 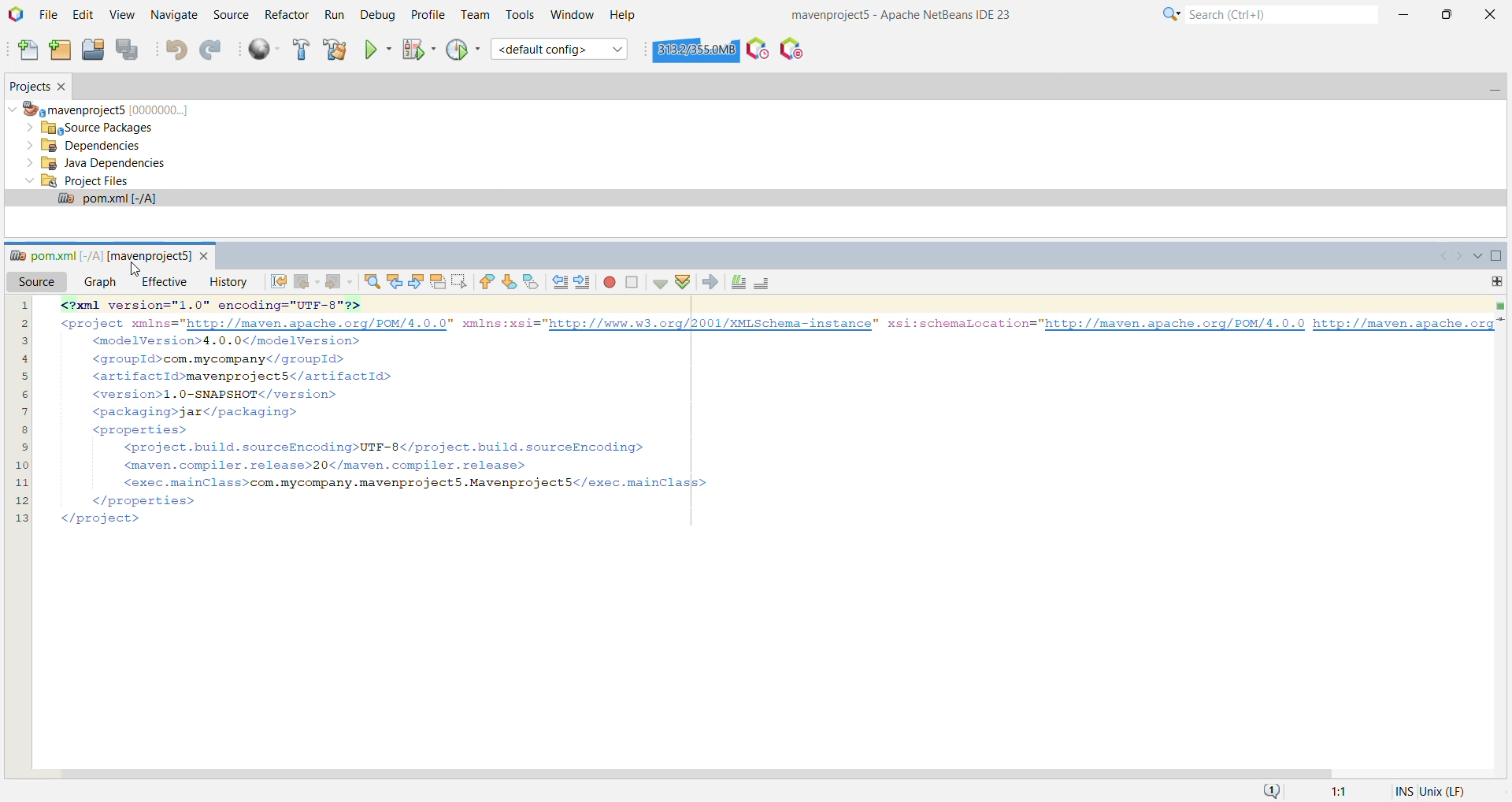 What do you see at coordinates (508, 282) in the screenshot?
I see `Next Bookmark` at bounding box center [508, 282].